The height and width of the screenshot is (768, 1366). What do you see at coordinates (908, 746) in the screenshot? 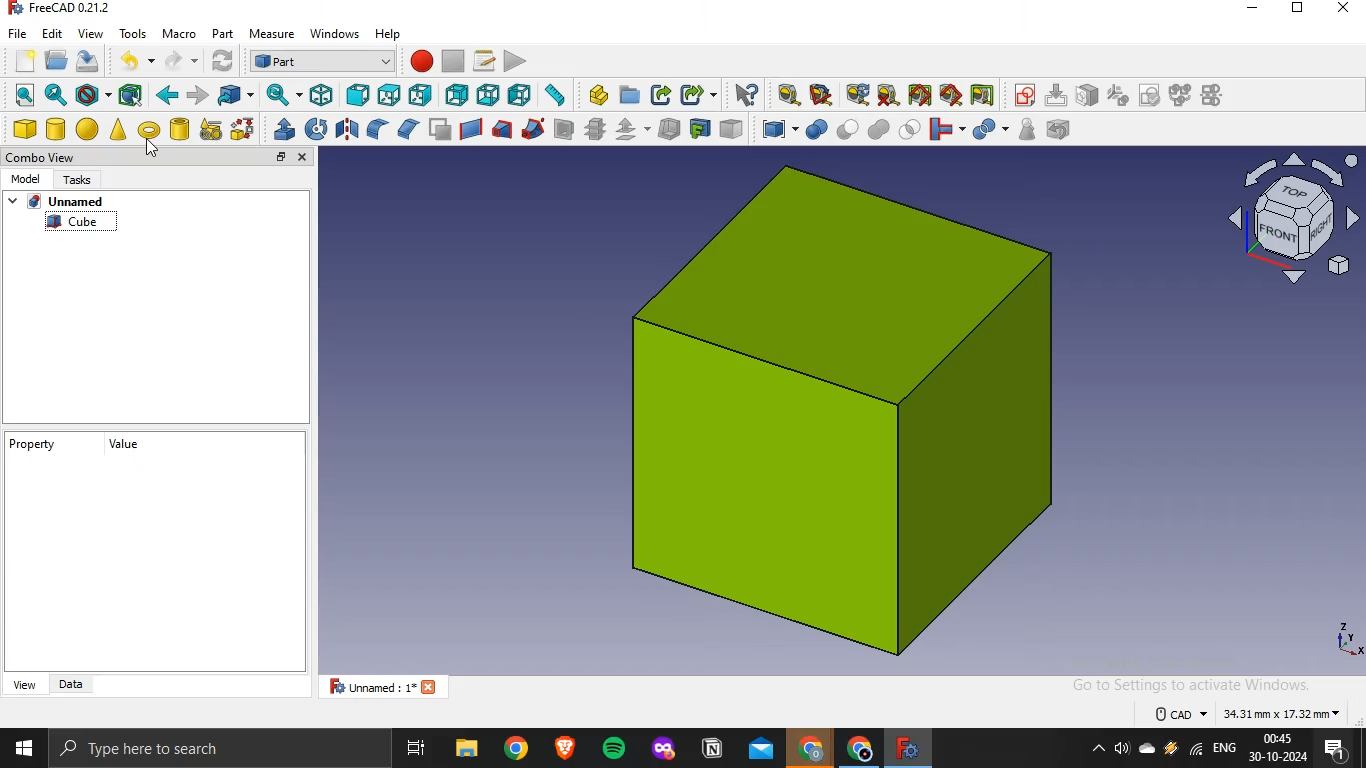
I see `freecad` at bounding box center [908, 746].